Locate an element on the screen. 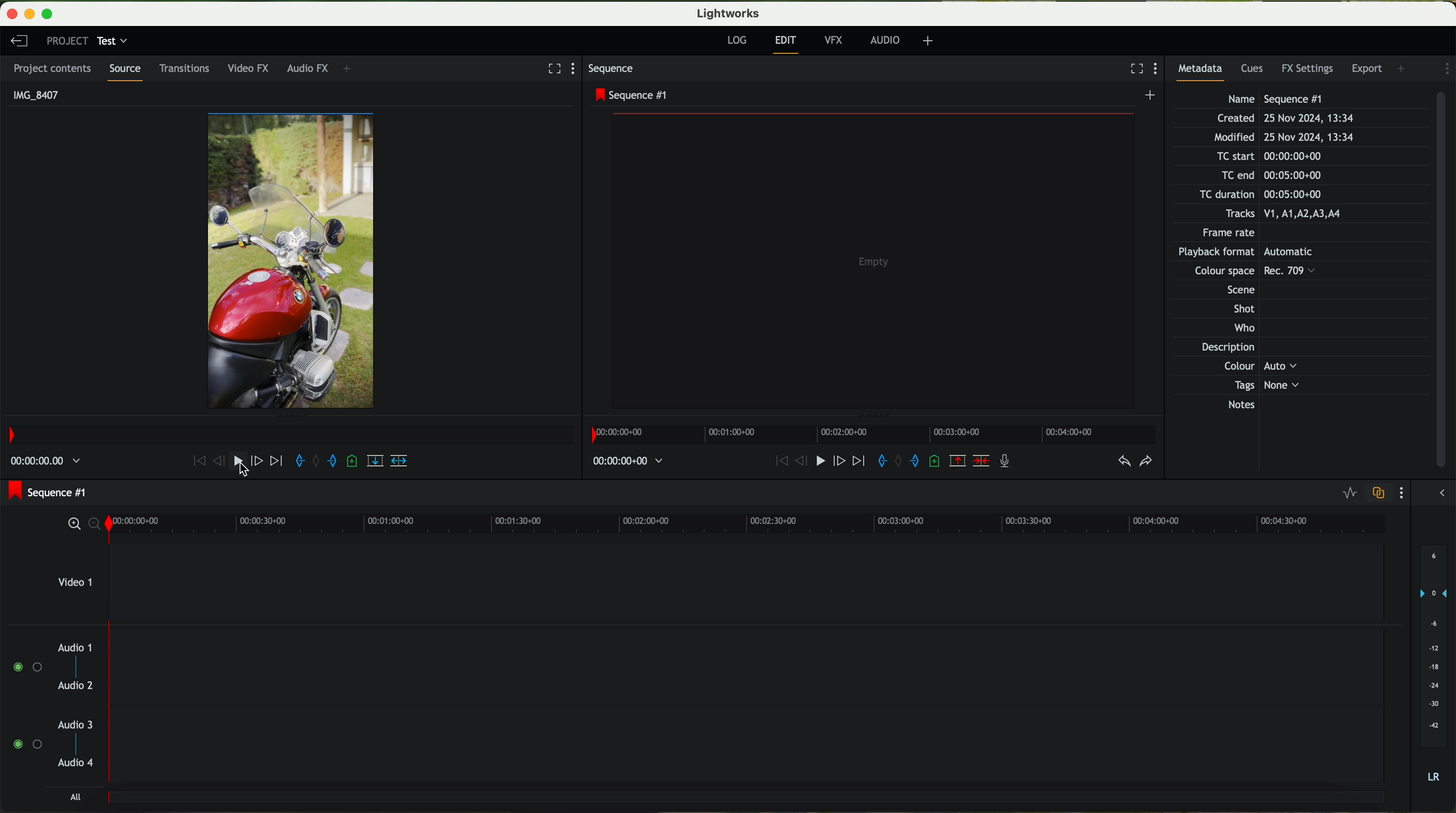  move backward is located at coordinates (193, 461).